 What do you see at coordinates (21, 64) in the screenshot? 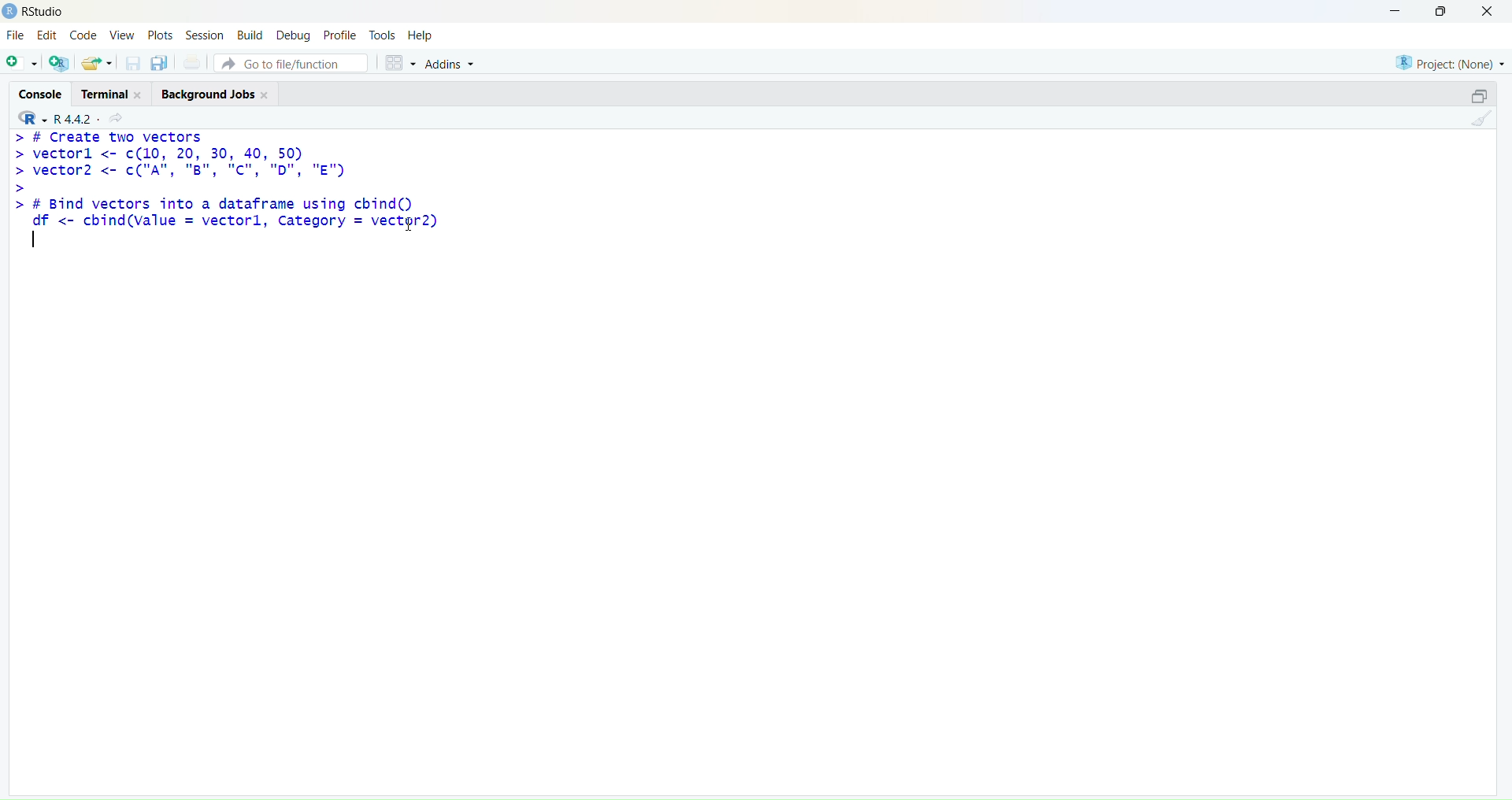
I see `New File` at bounding box center [21, 64].